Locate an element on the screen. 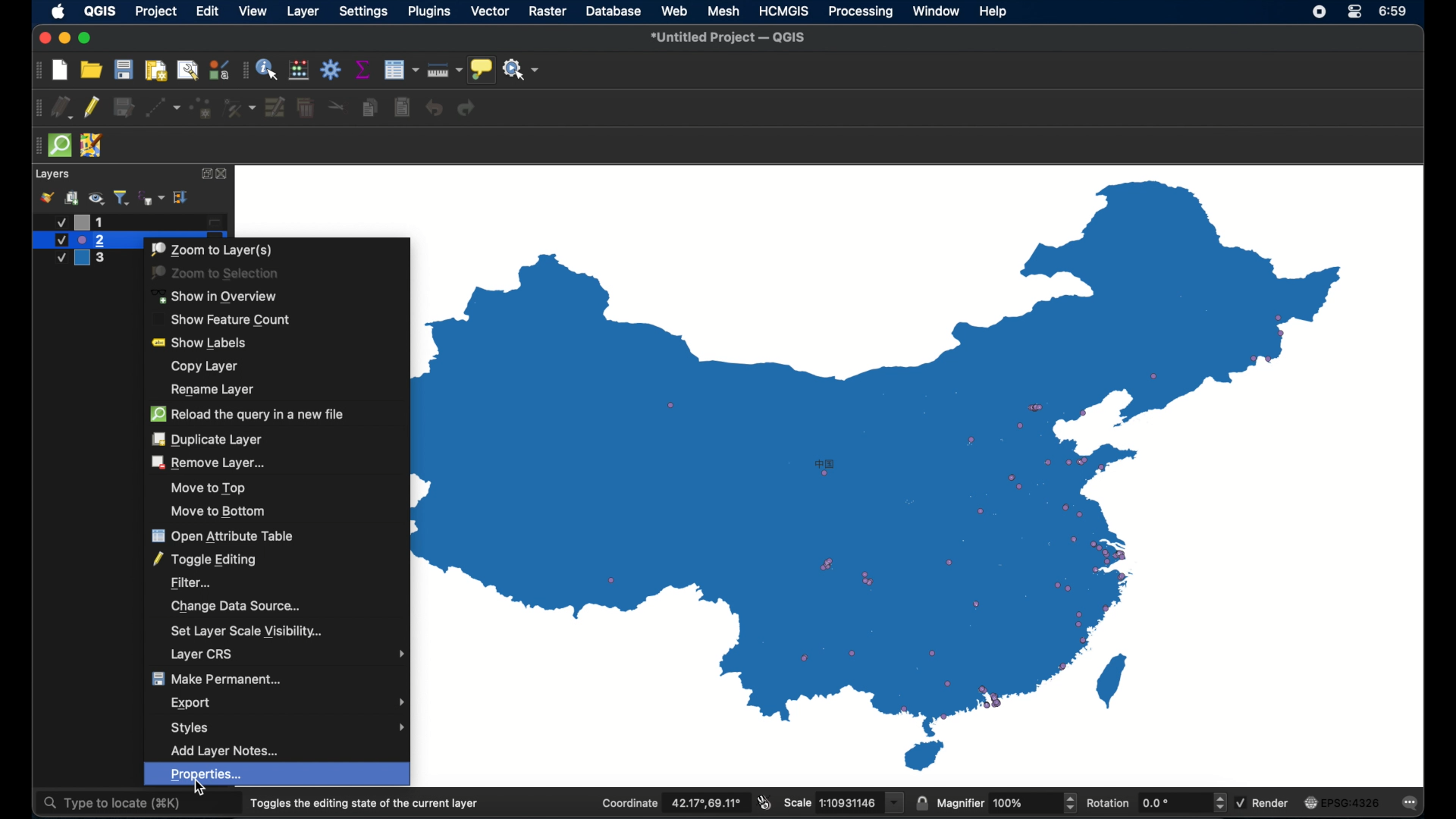 This screenshot has width=1456, height=819. move to top is located at coordinates (207, 489).